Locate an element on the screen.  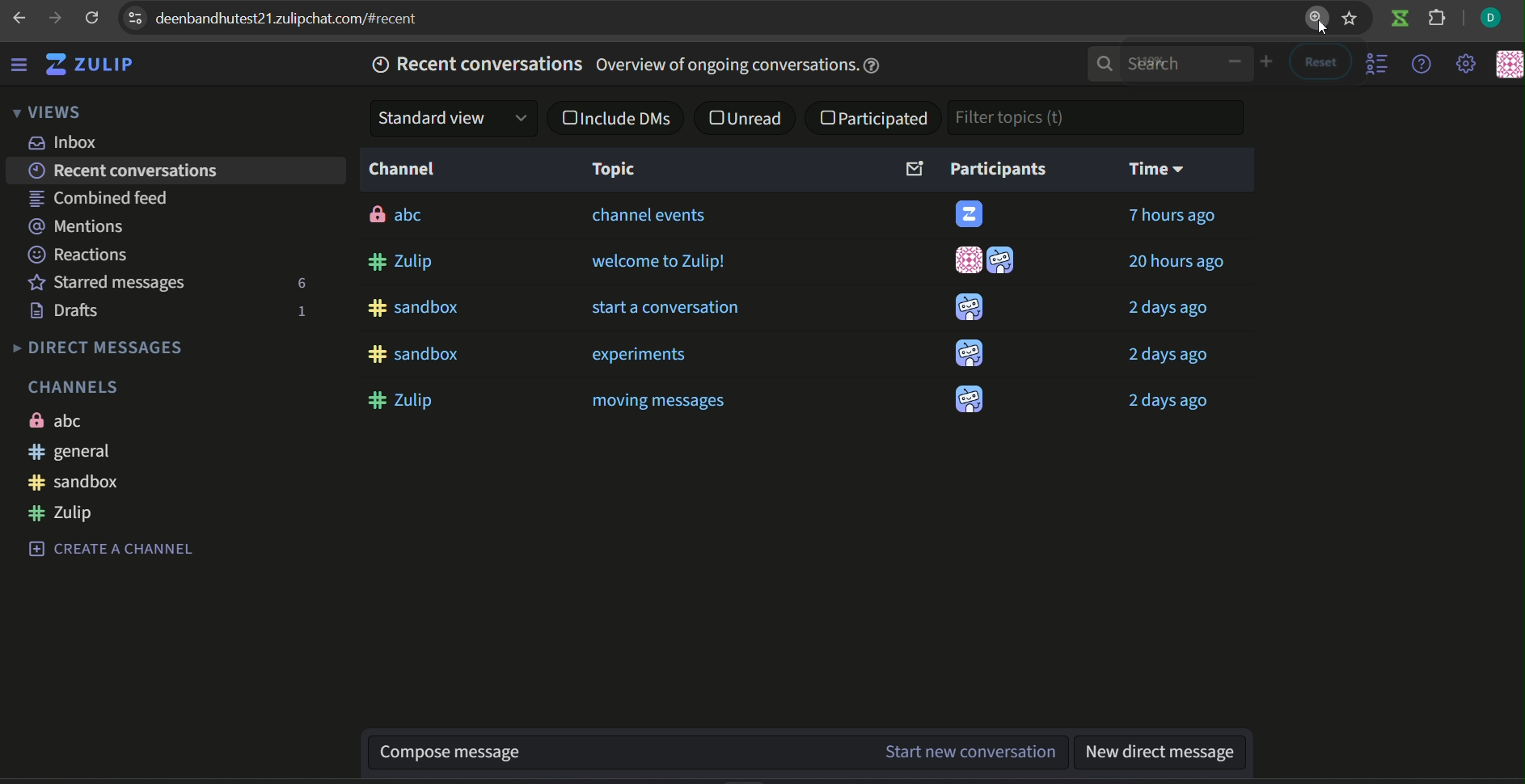
abc is located at coordinates (399, 215).